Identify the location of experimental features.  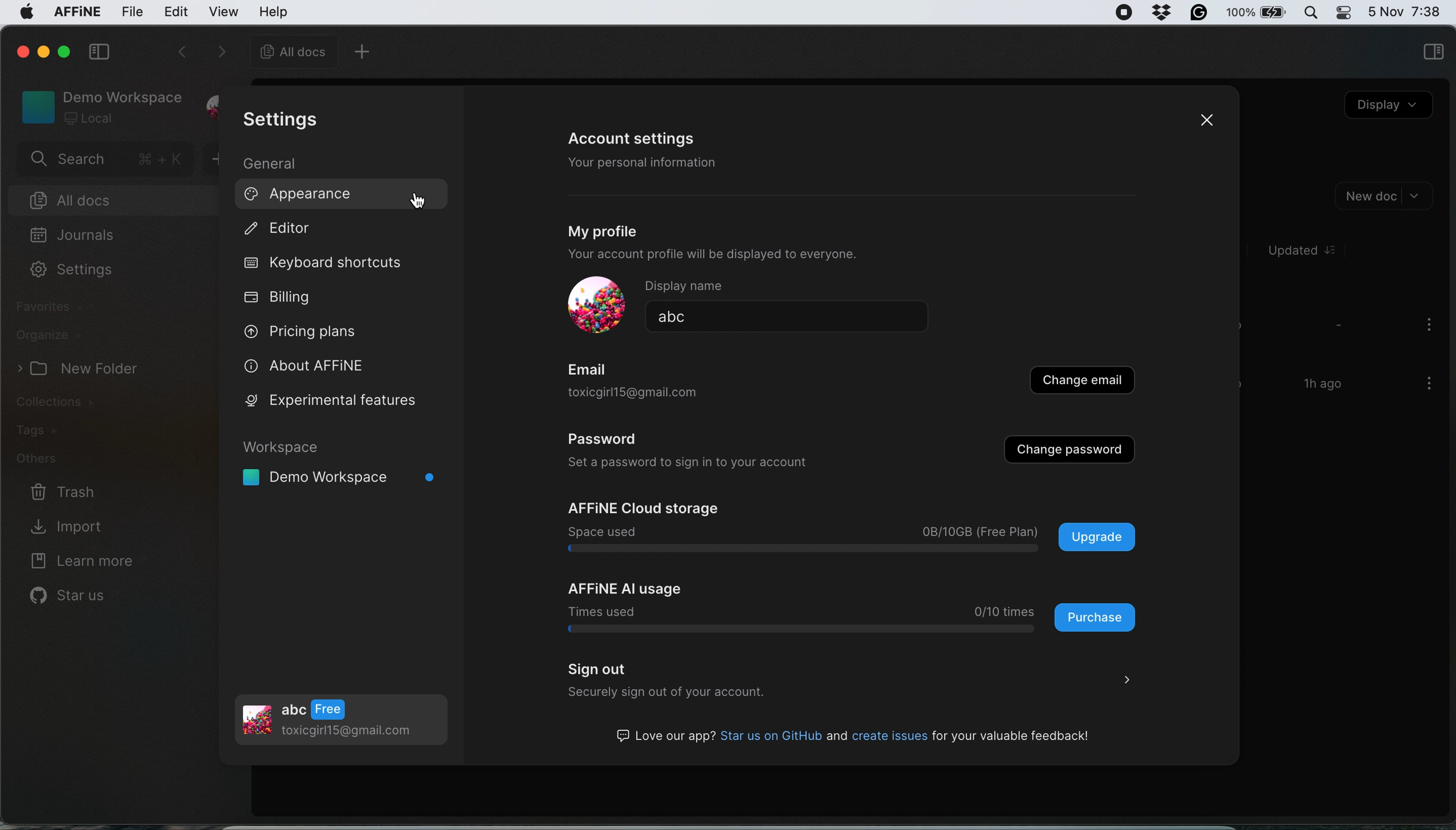
(334, 401).